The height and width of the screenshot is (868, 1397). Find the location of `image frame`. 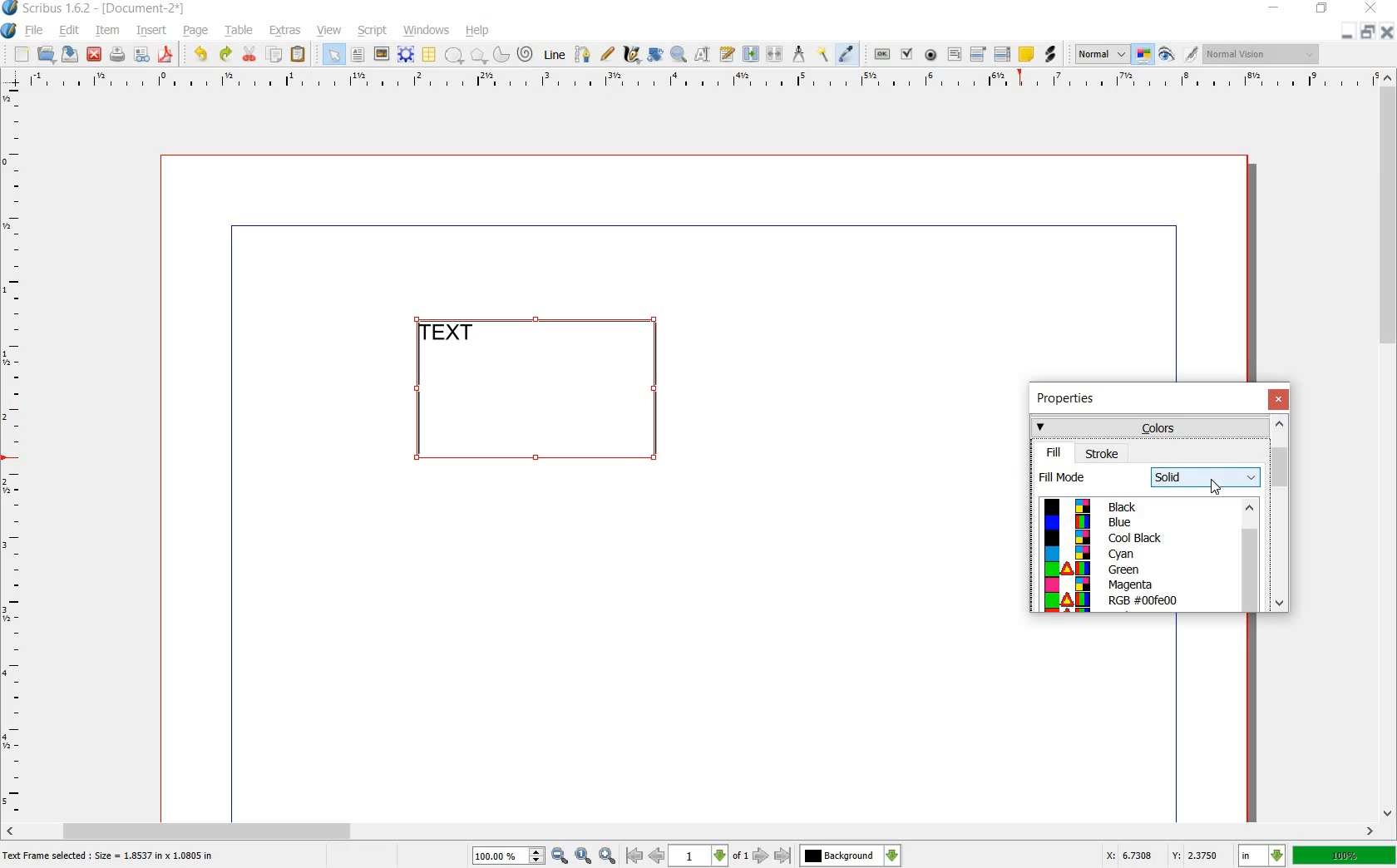

image frame is located at coordinates (380, 54).